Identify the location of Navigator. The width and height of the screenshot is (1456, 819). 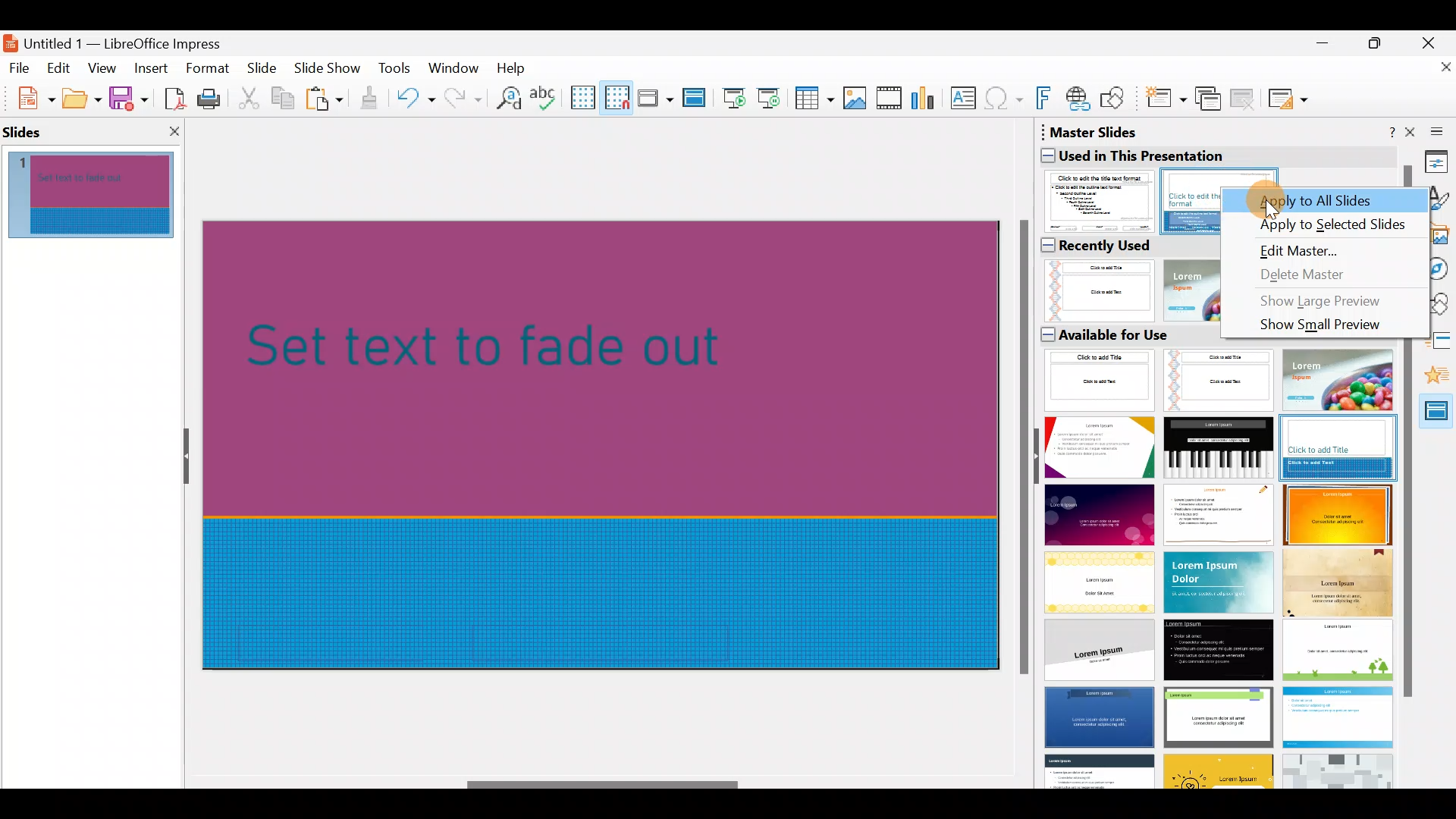
(1434, 269).